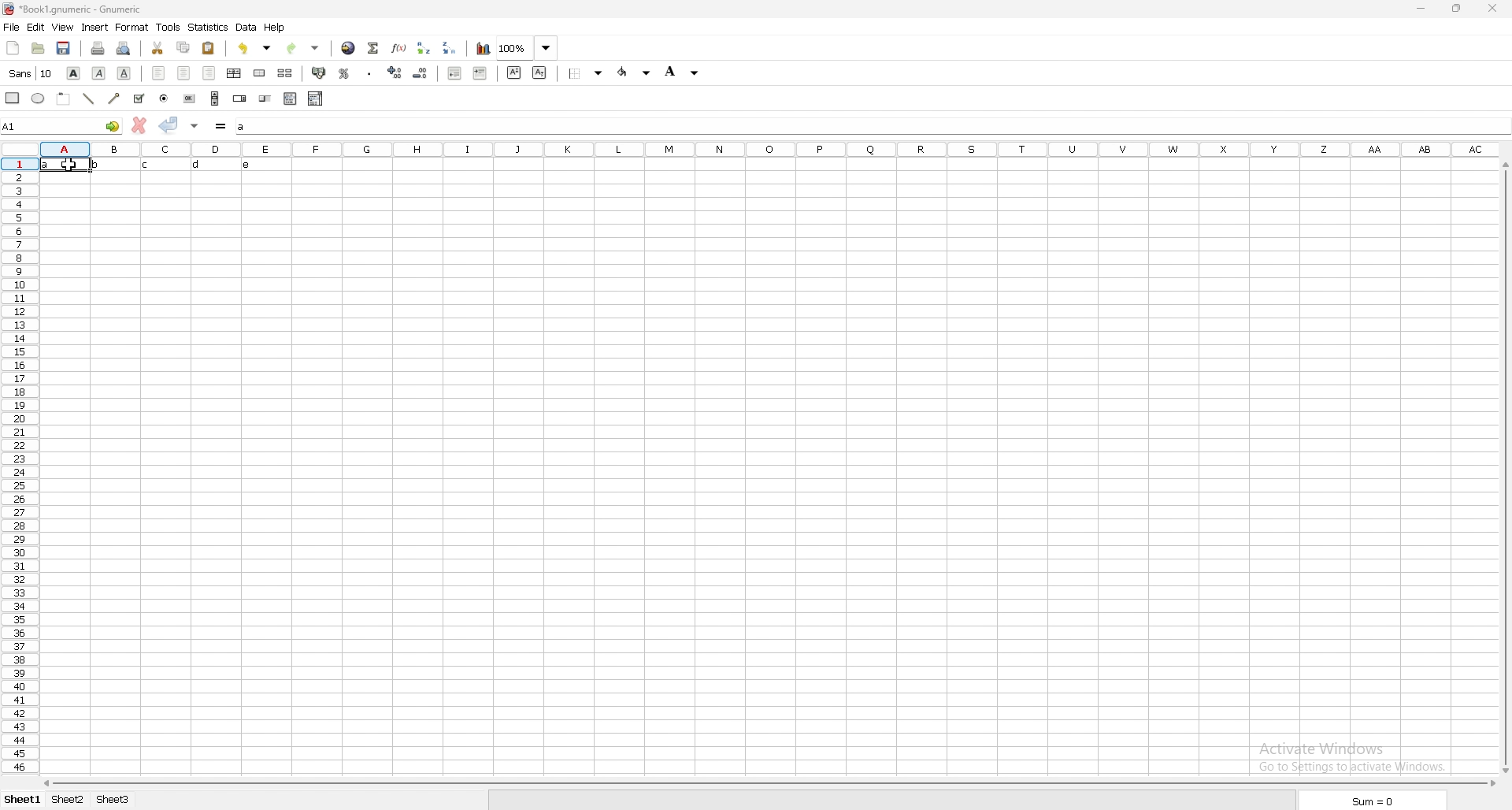 This screenshot has height=810, width=1512. Describe the element at coordinates (399, 48) in the screenshot. I see `function` at that location.